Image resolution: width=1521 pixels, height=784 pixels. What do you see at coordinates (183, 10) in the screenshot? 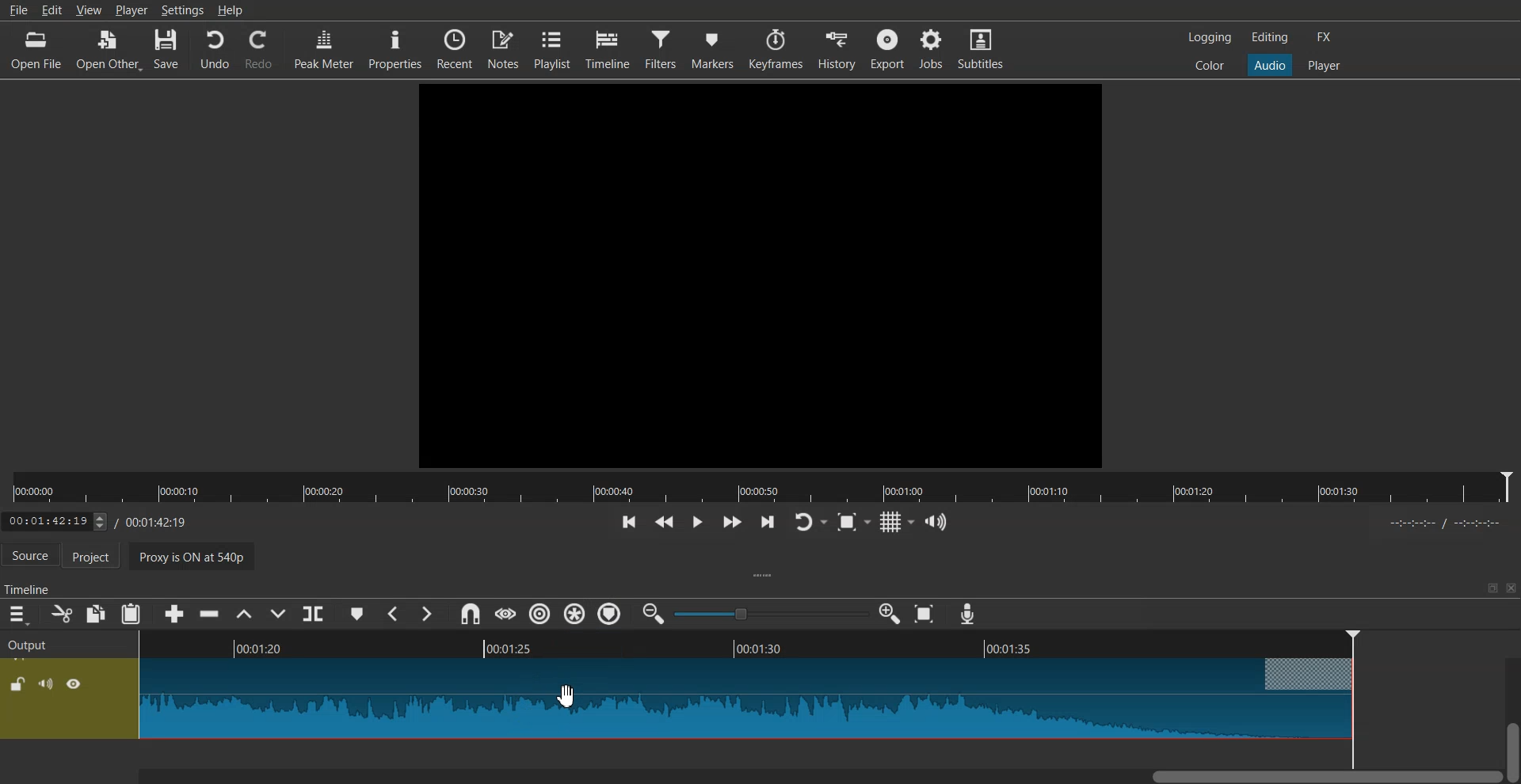
I see `Settings` at bounding box center [183, 10].